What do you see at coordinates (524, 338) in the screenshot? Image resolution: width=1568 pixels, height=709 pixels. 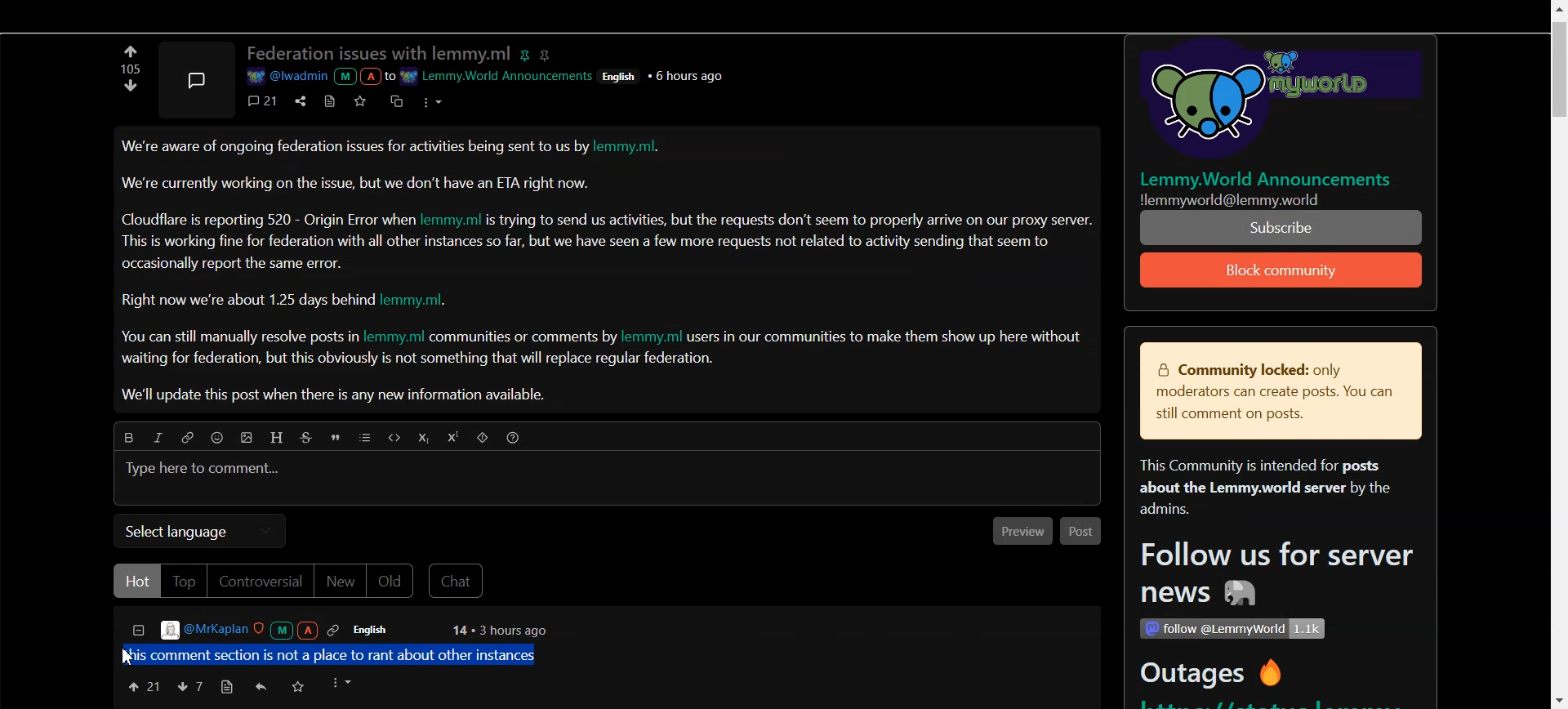 I see `communities or comments by` at bounding box center [524, 338].